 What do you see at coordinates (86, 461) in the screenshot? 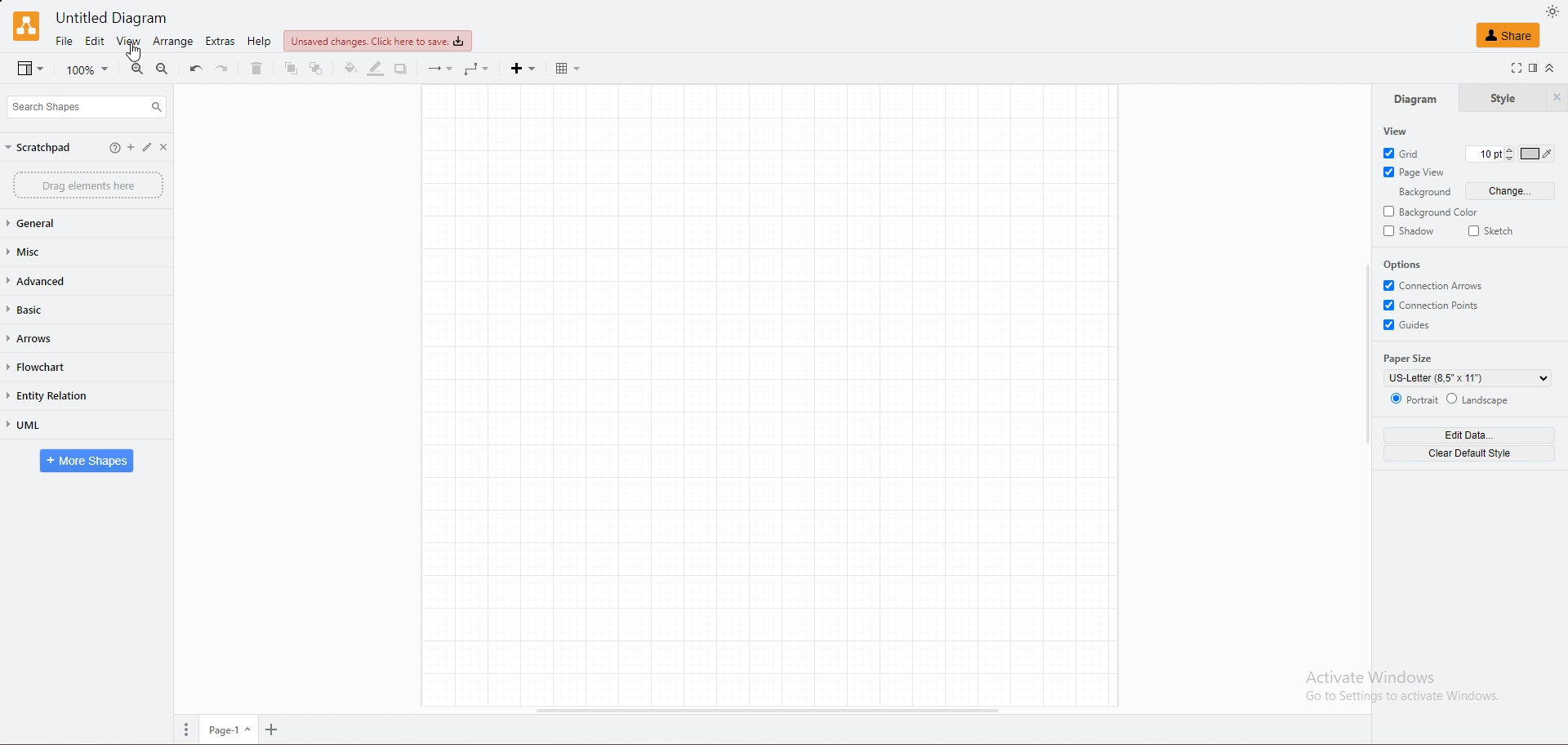
I see `more shapes` at bounding box center [86, 461].